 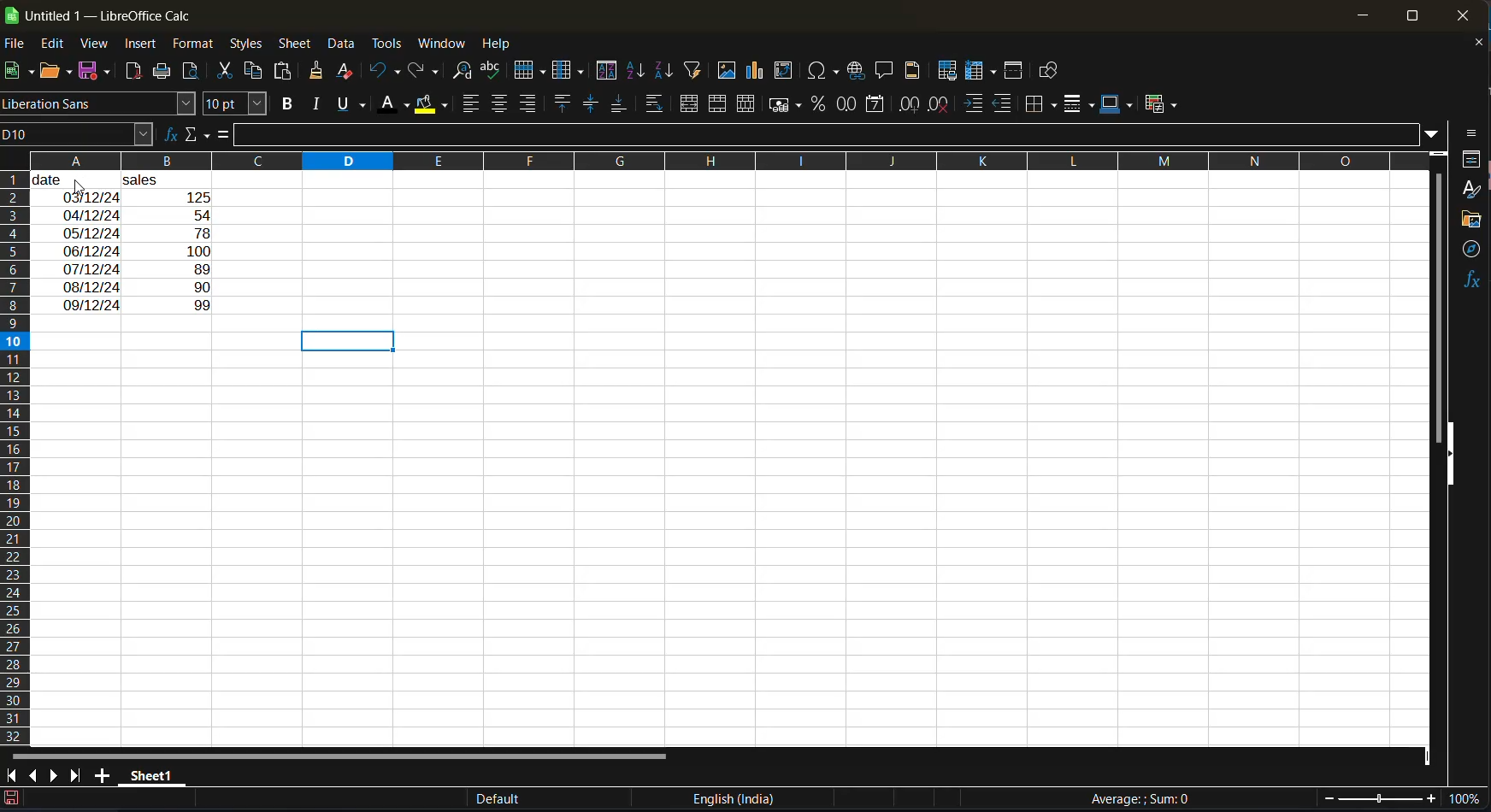 What do you see at coordinates (1448, 453) in the screenshot?
I see `hide` at bounding box center [1448, 453].